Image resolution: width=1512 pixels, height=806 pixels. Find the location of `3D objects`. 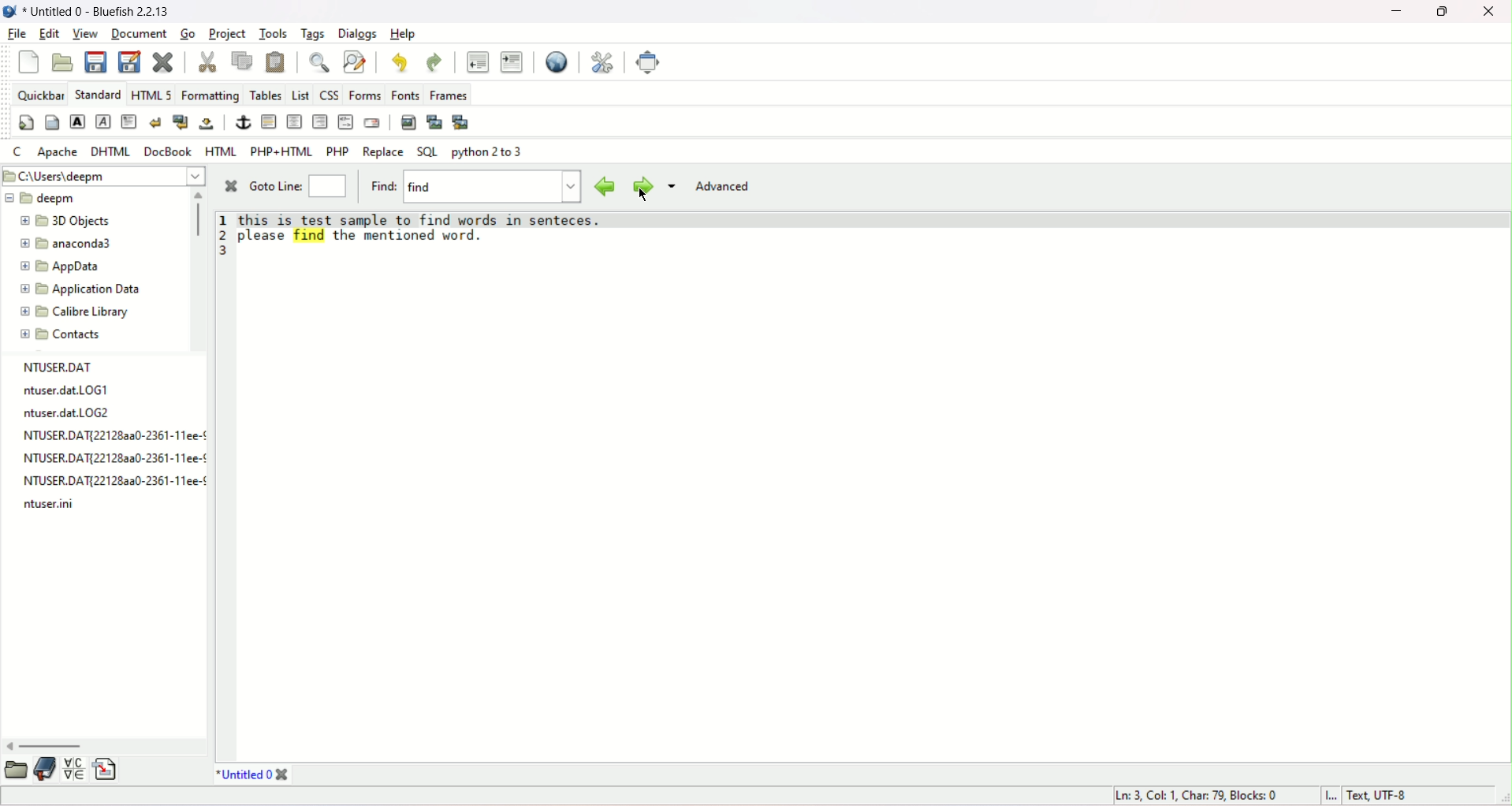

3D objects is located at coordinates (65, 221).